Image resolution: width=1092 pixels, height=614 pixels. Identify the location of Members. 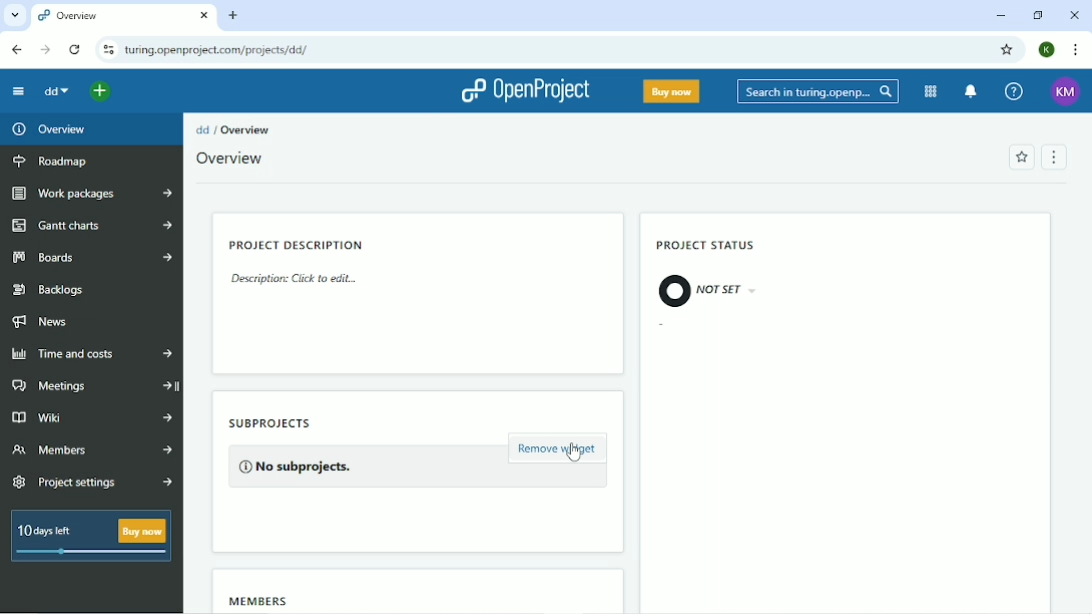
(92, 451).